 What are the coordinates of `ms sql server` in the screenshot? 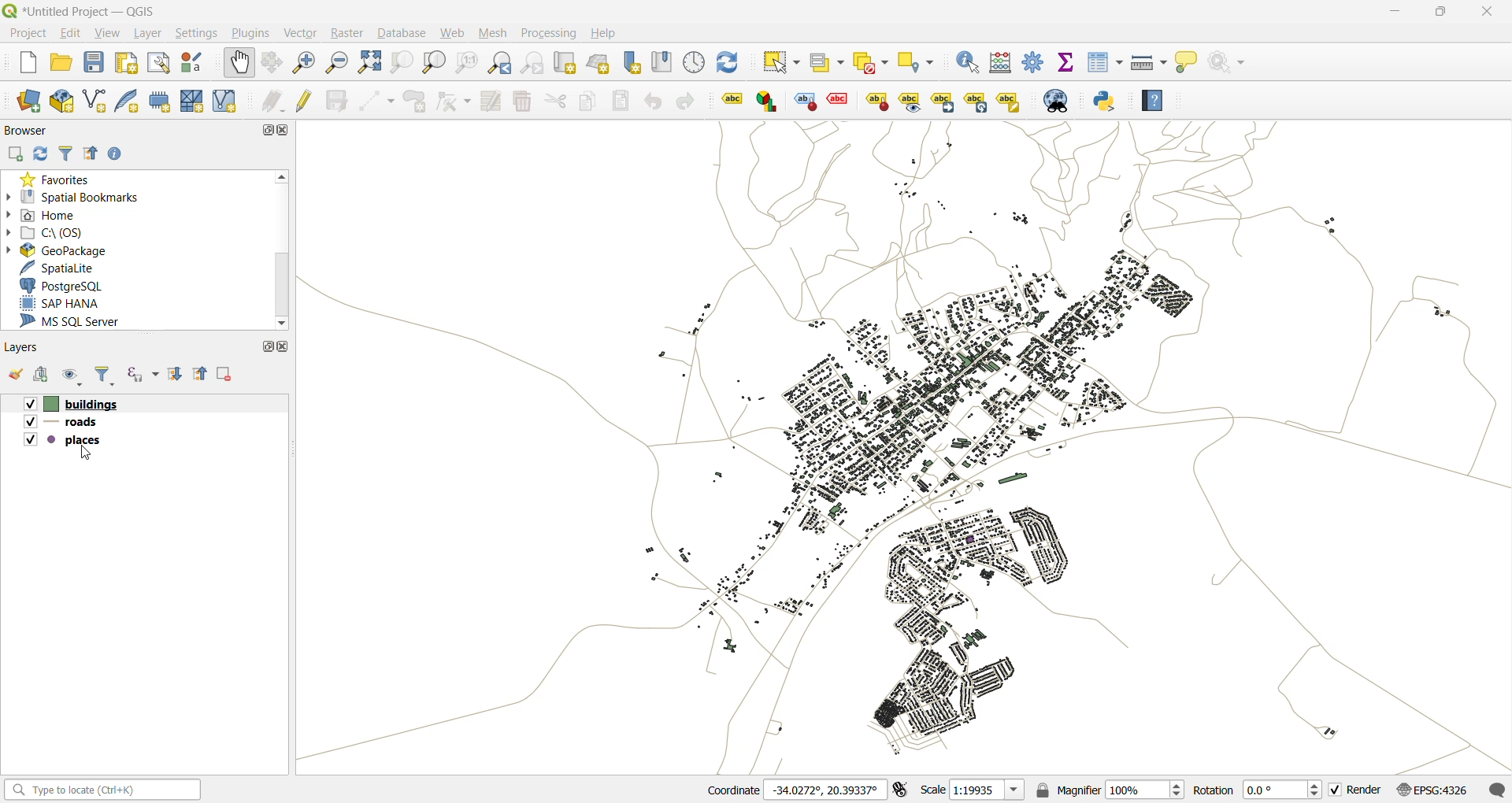 It's located at (79, 323).